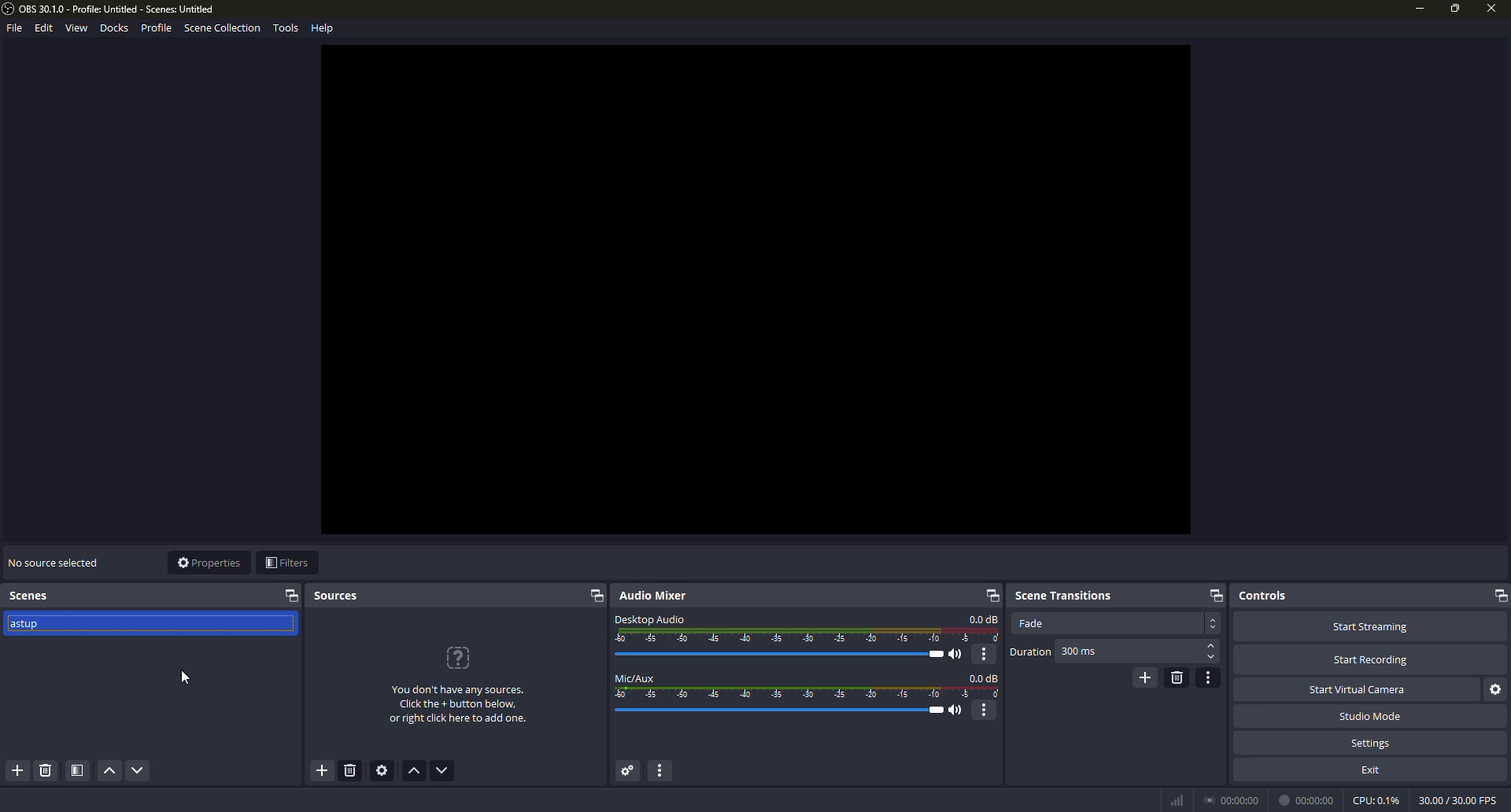 This screenshot has width=1511, height=812. Describe the element at coordinates (1372, 743) in the screenshot. I see `settings` at that location.